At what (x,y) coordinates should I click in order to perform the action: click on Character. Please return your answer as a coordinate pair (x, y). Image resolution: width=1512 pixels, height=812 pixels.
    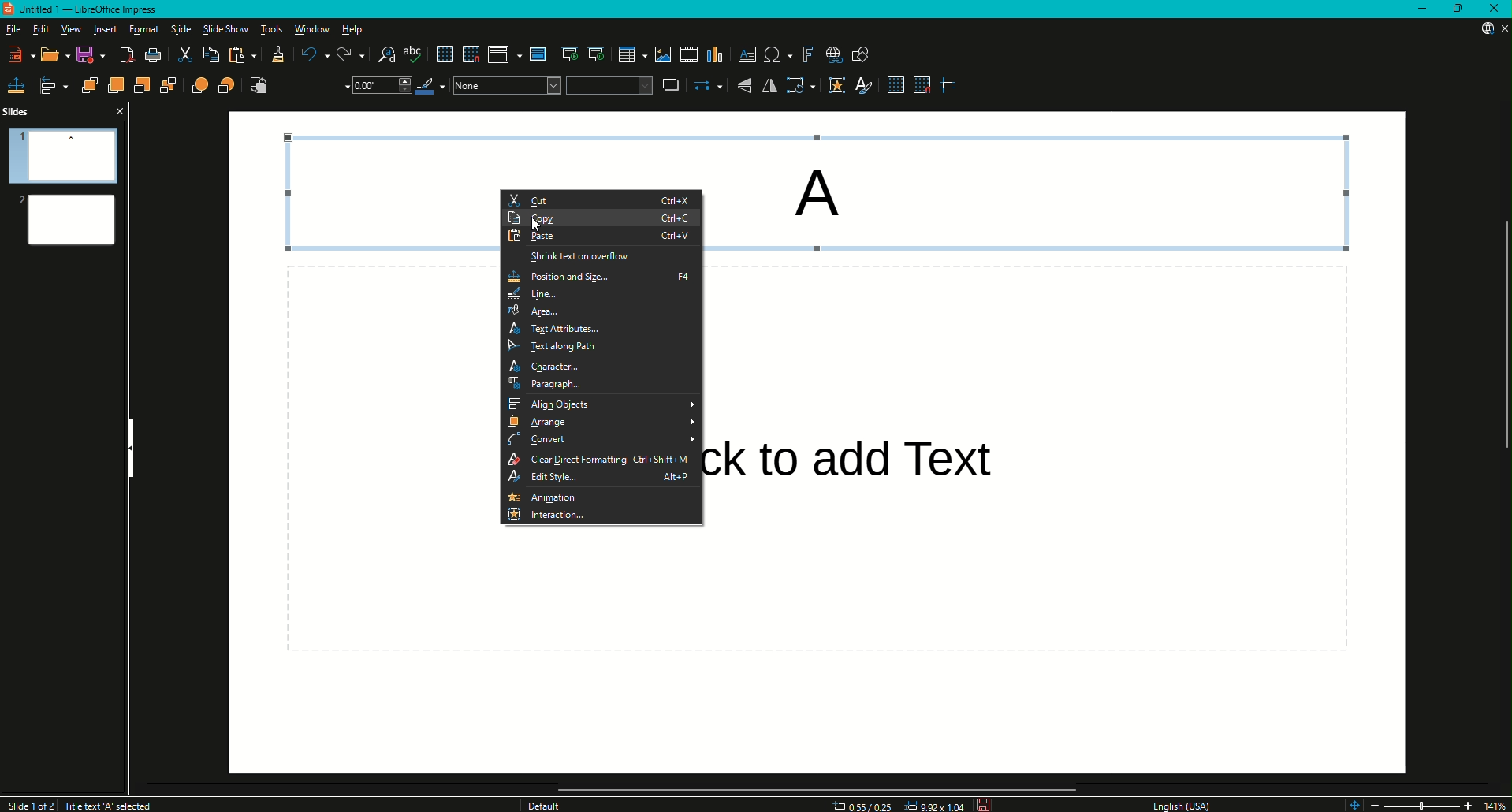
    Looking at the image, I should click on (601, 365).